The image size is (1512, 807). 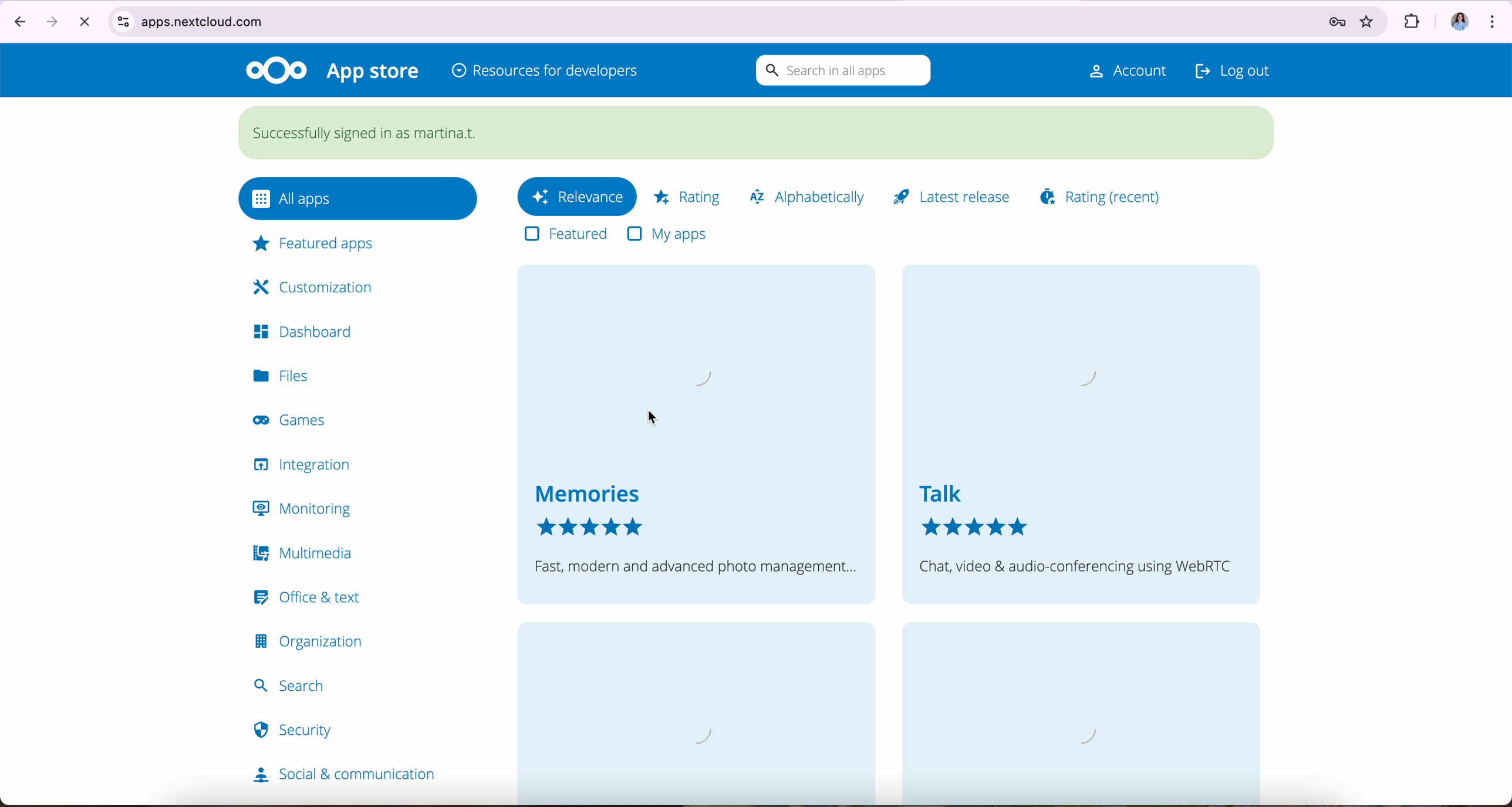 What do you see at coordinates (308, 332) in the screenshot?
I see `dashboard` at bounding box center [308, 332].